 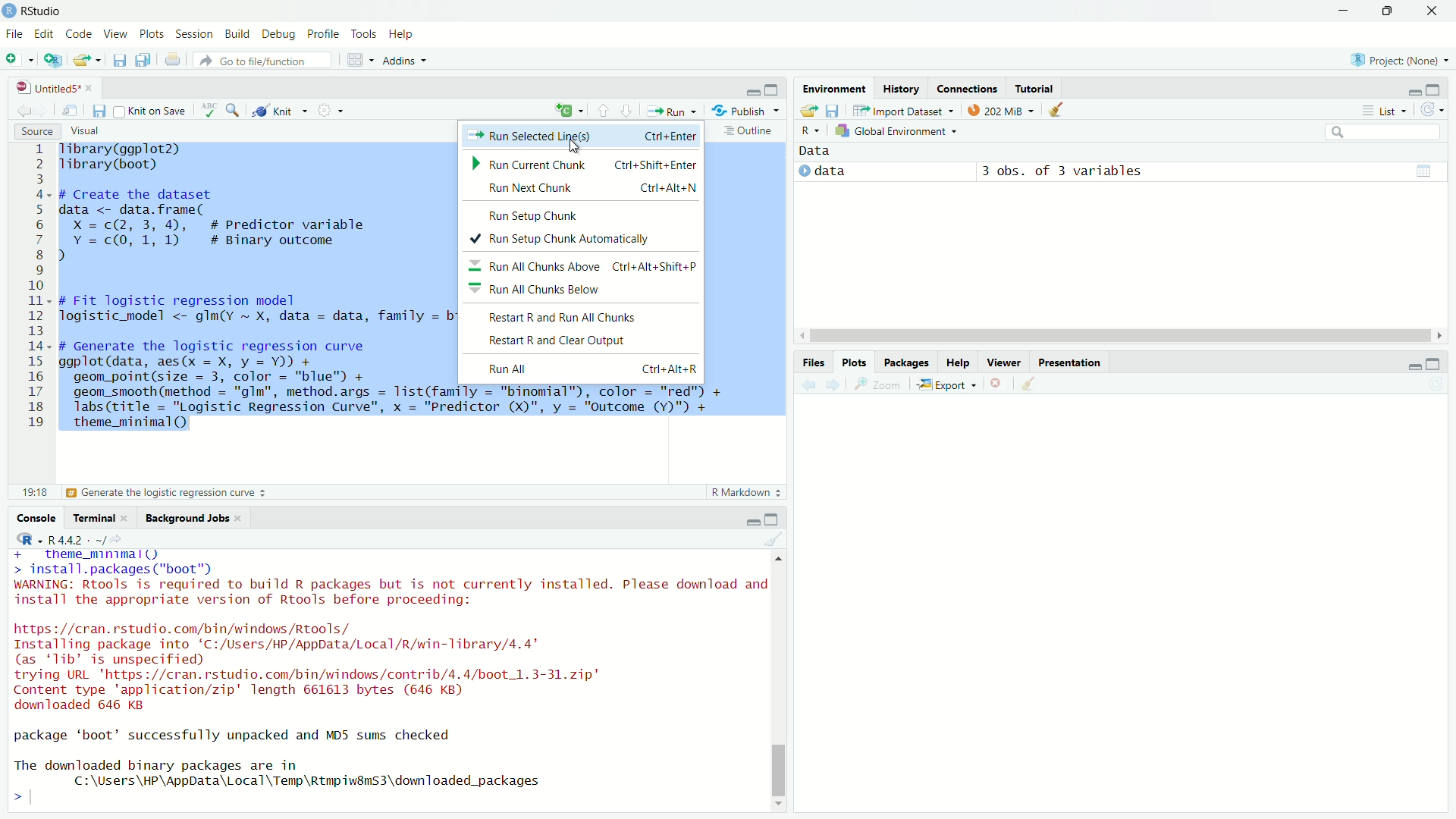 What do you see at coordinates (833, 384) in the screenshot?
I see `Next plot` at bounding box center [833, 384].